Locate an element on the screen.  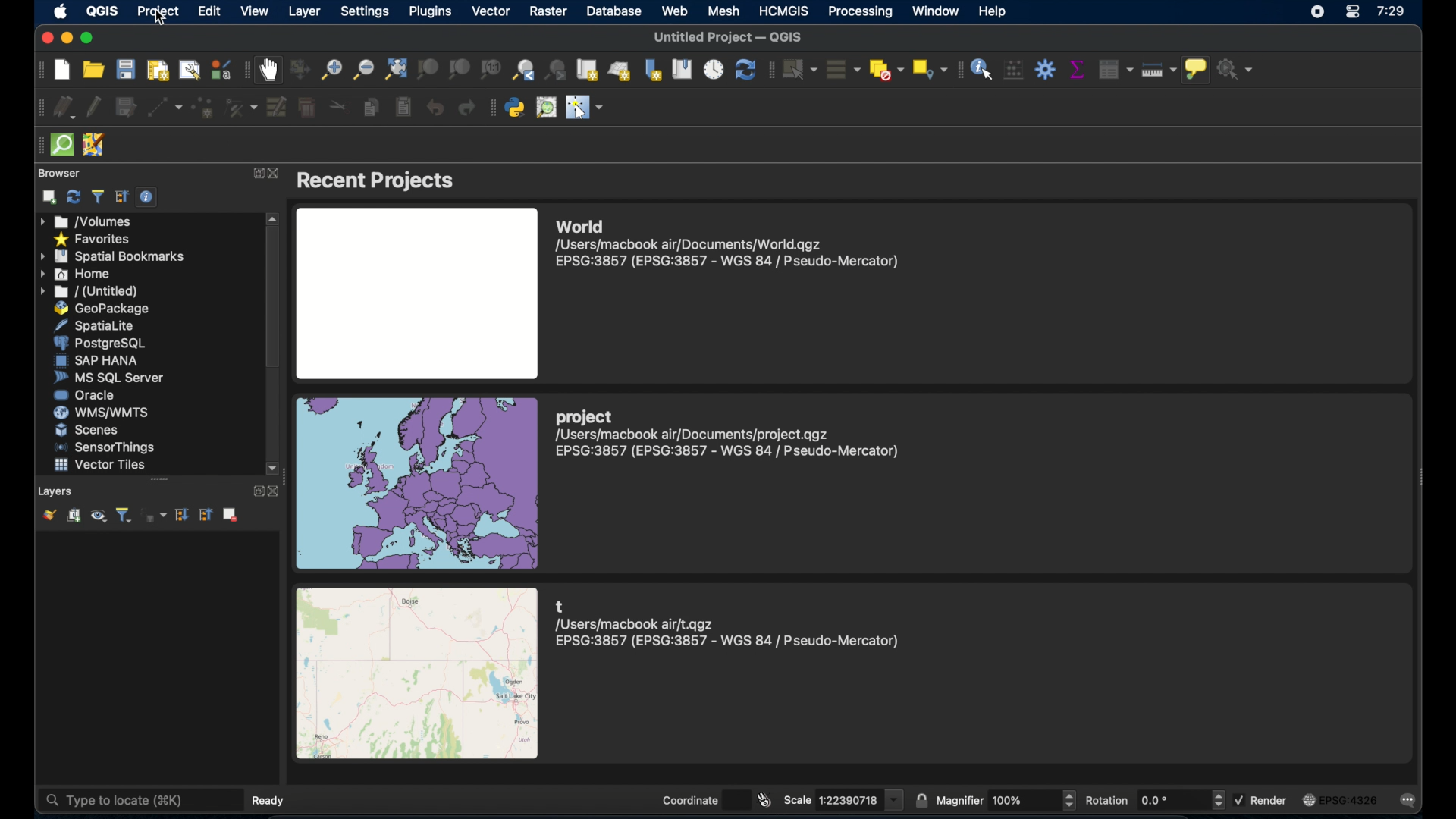
project toolbar is located at coordinates (39, 70).